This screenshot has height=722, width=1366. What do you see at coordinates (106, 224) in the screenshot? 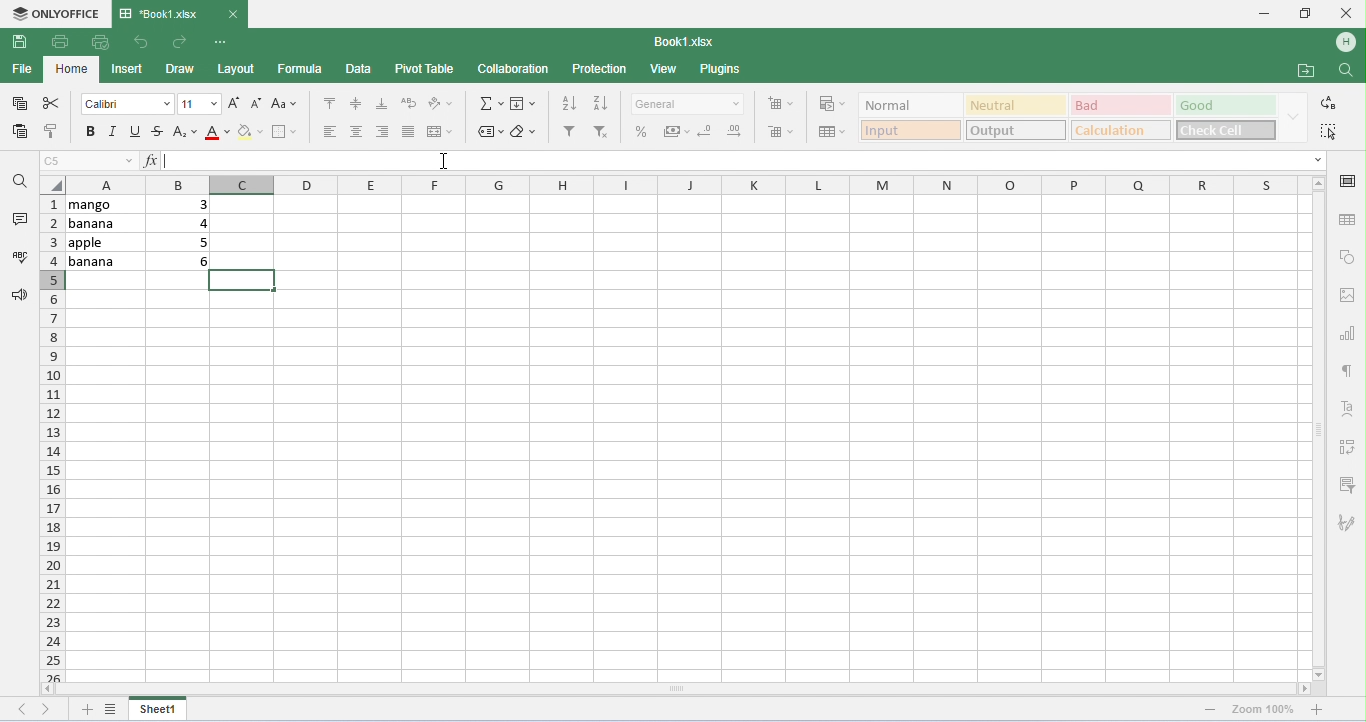
I see `banana` at bounding box center [106, 224].